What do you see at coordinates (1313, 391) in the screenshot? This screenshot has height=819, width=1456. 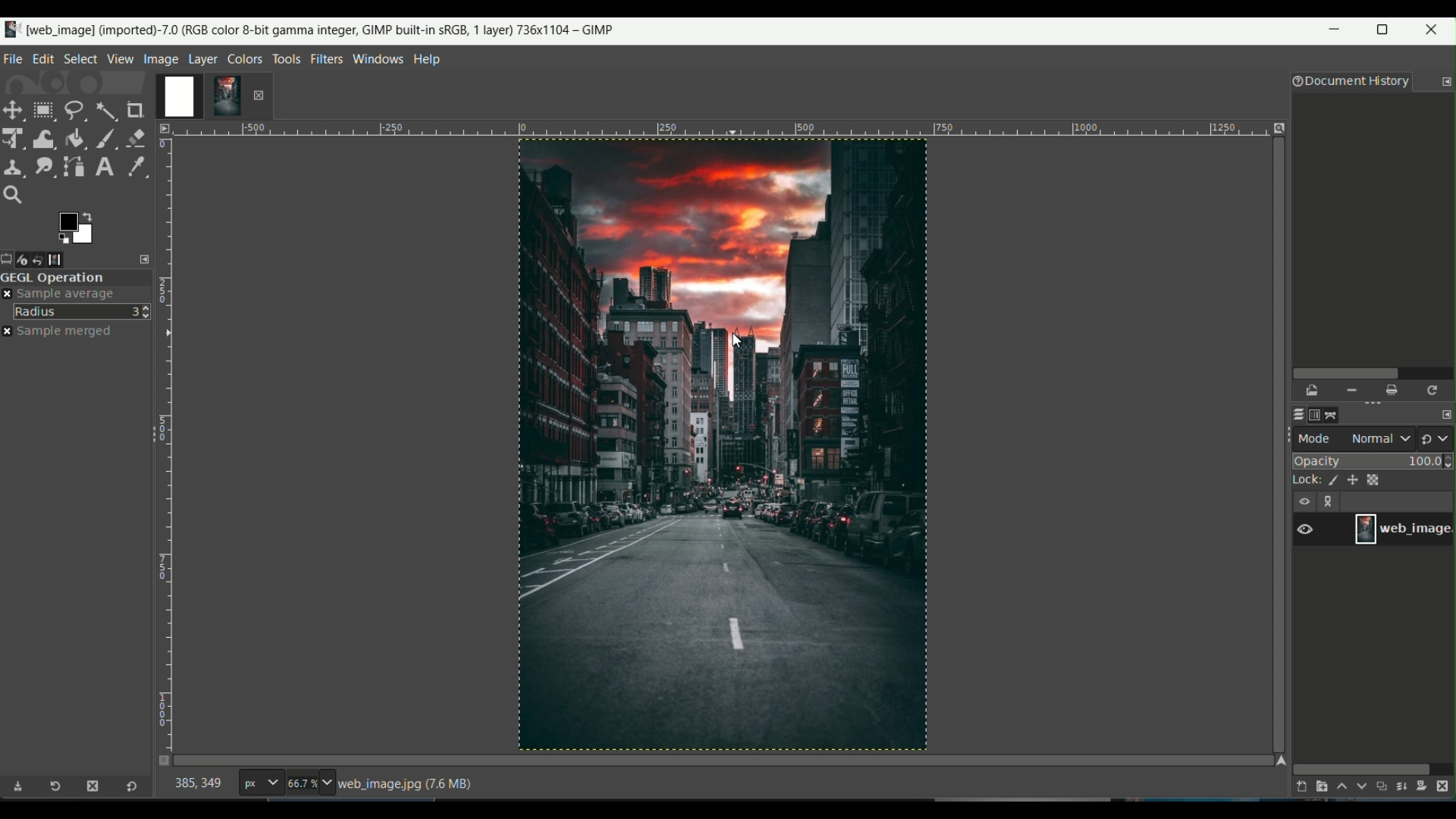 I see `open the selected entry` at bounding box center [1313, 391].